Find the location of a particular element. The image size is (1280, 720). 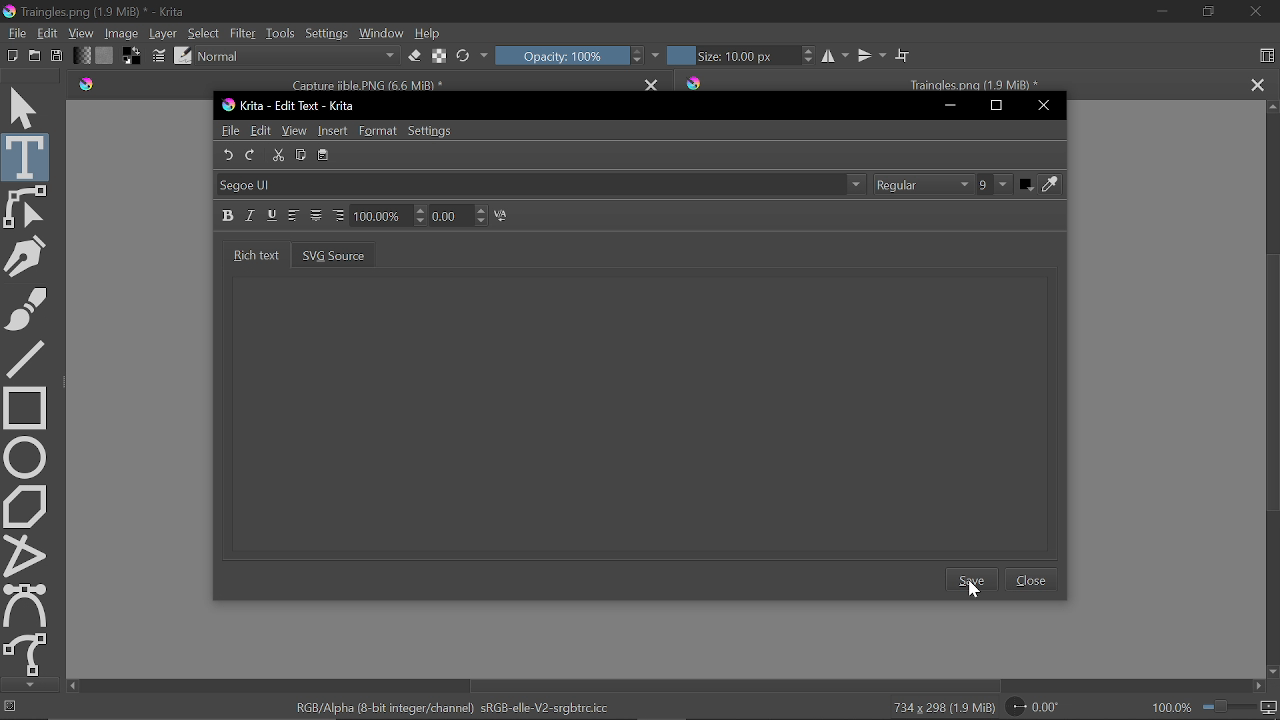

Close tab is located at coordinates (1258, 84).